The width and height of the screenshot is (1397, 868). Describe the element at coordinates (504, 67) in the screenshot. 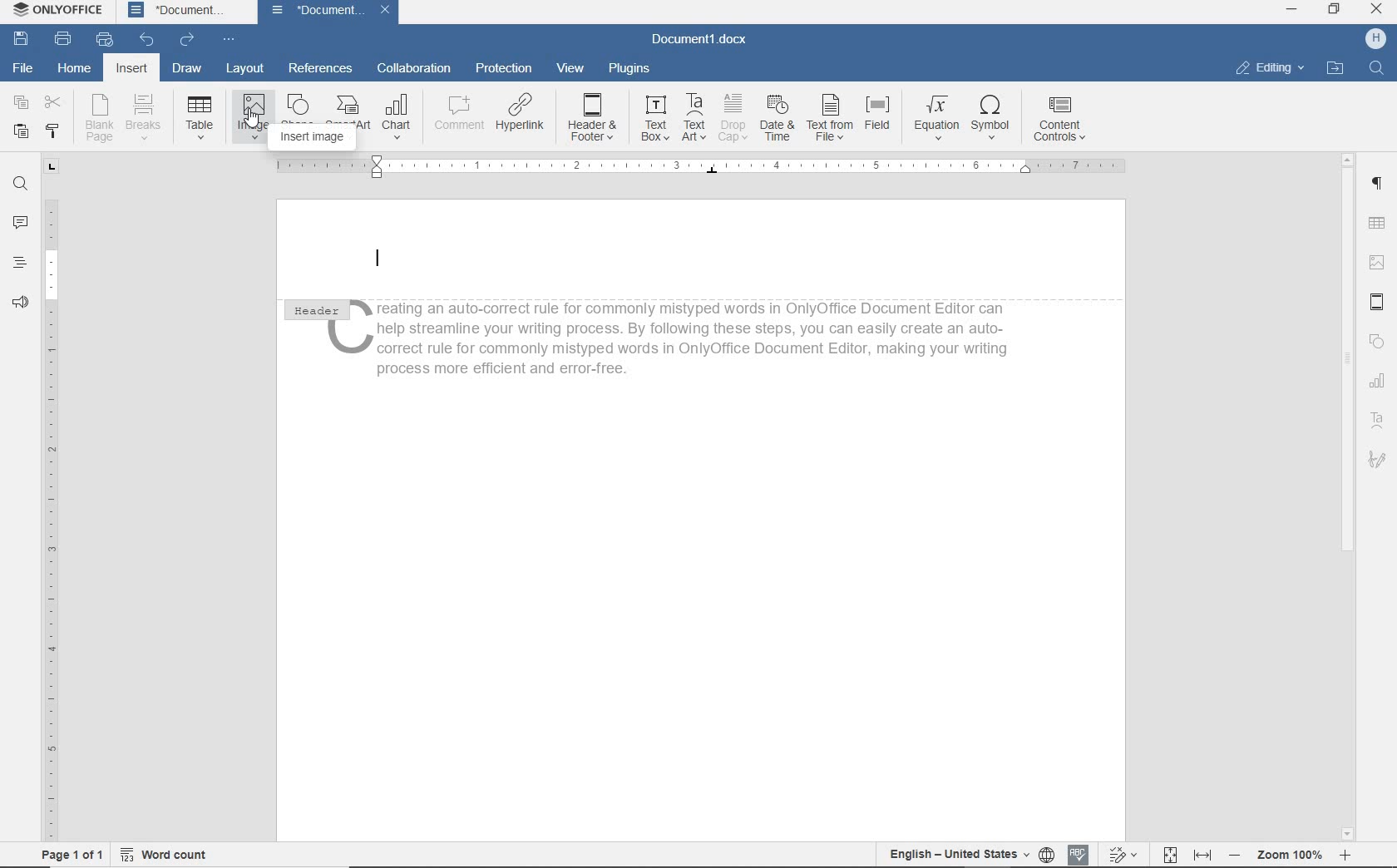

I see `PROTECTION` at that location.